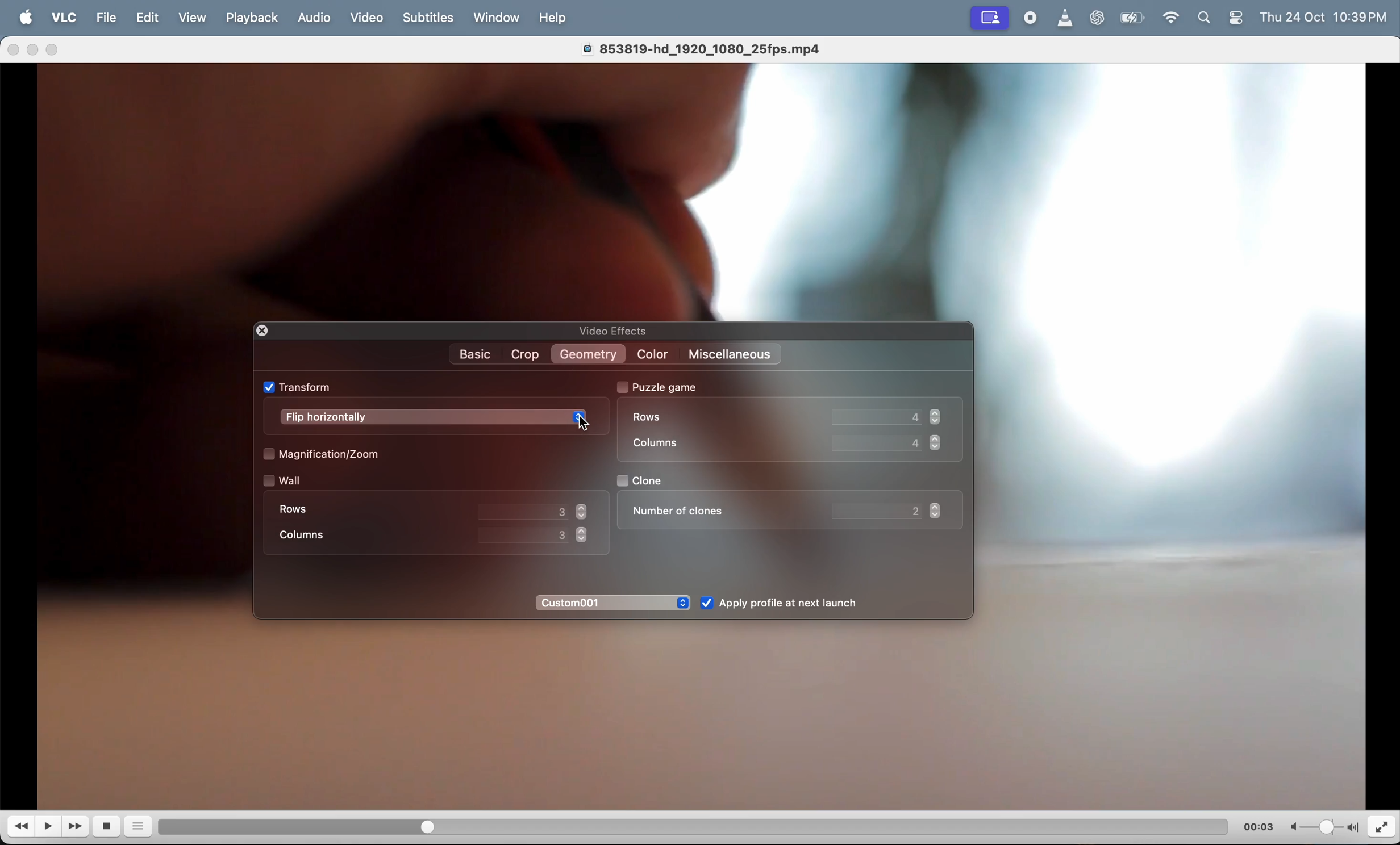 The height and width of the screenshot is (845, 1400). I want to click on play, so click(50, 826).